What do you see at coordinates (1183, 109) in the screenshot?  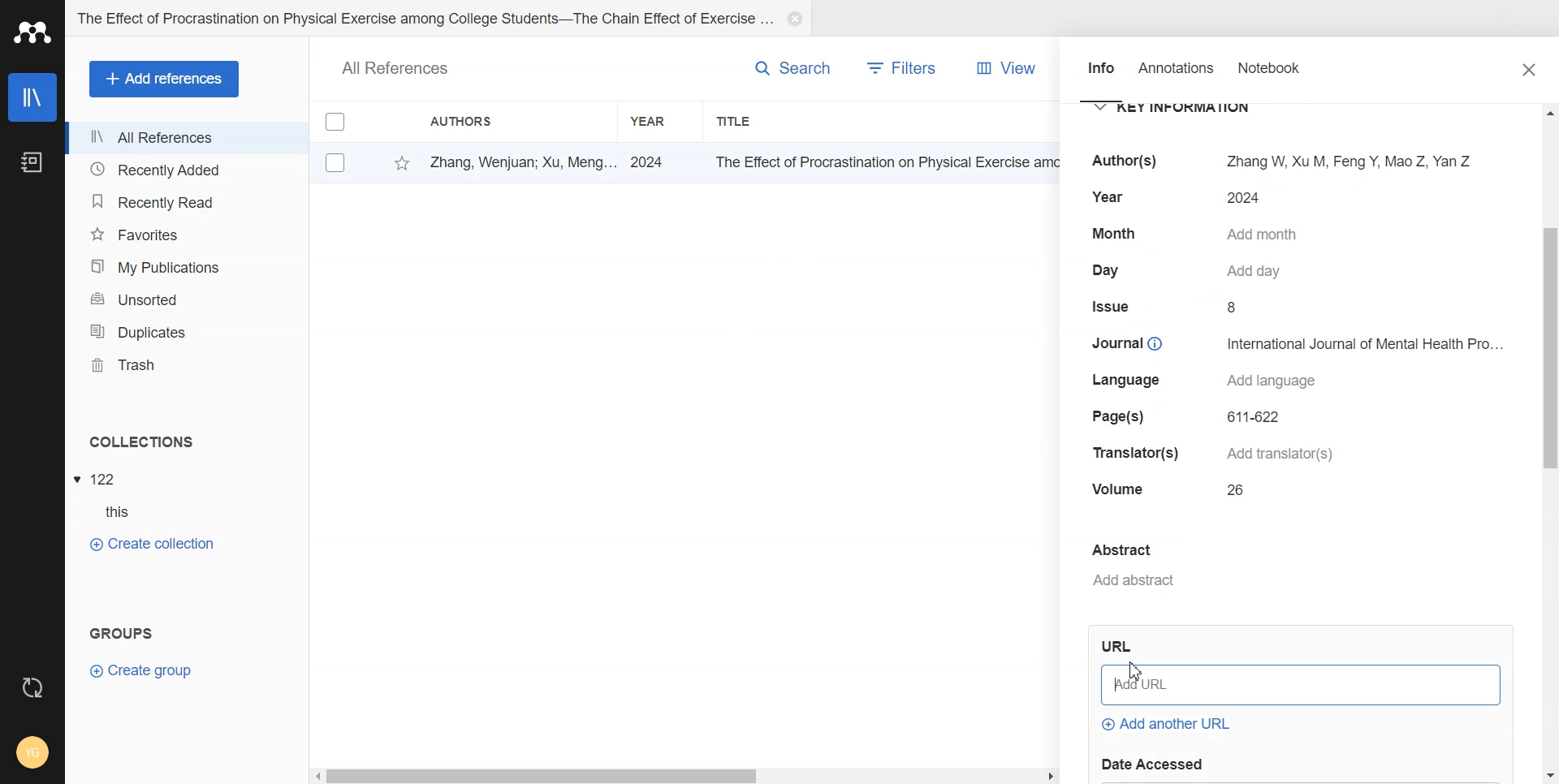 I see `Key Information` at bounding box center [1183, 109].